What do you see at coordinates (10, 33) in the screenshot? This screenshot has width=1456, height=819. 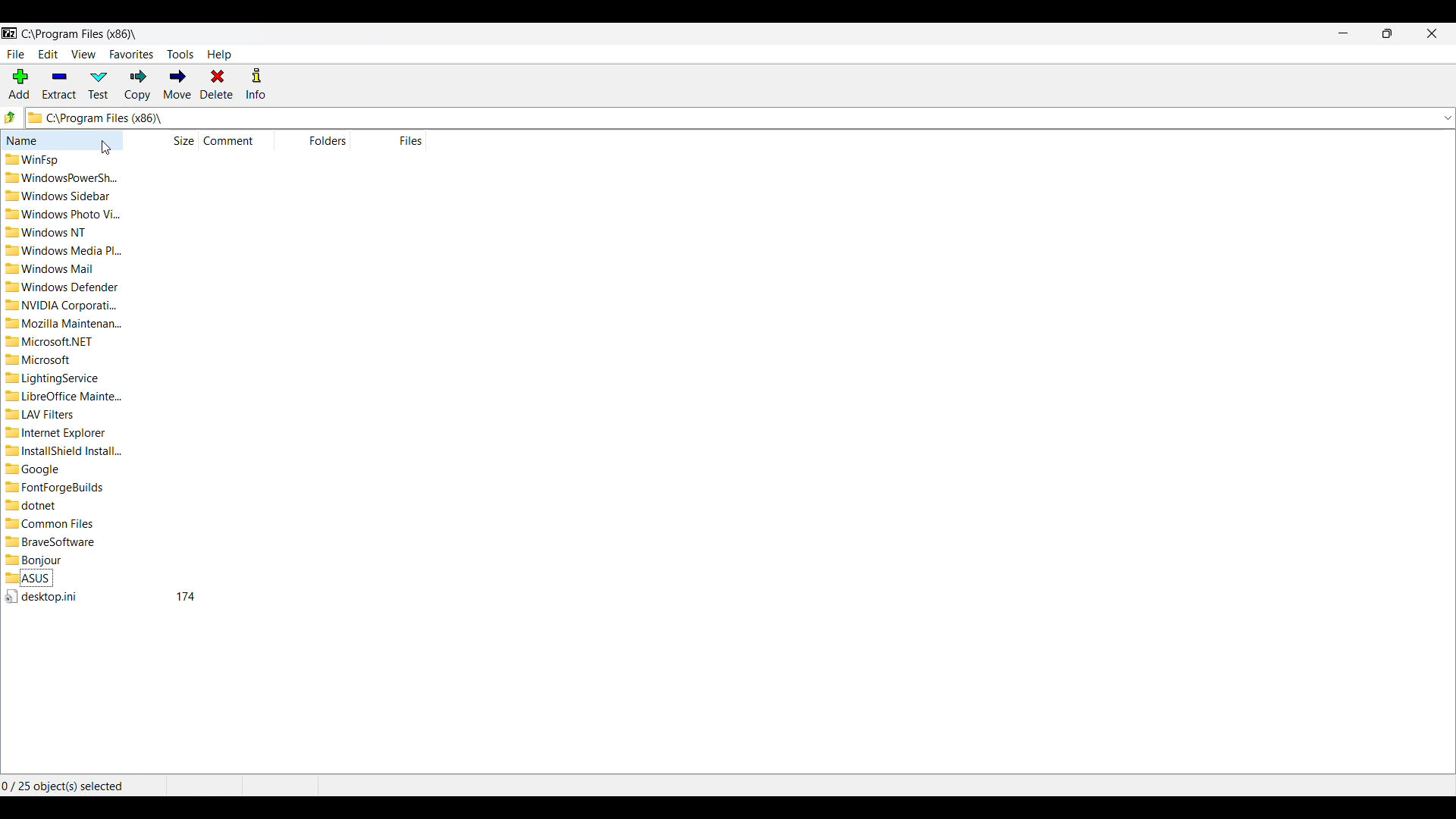 I see `Software logo` at bounding box center [10, 33].